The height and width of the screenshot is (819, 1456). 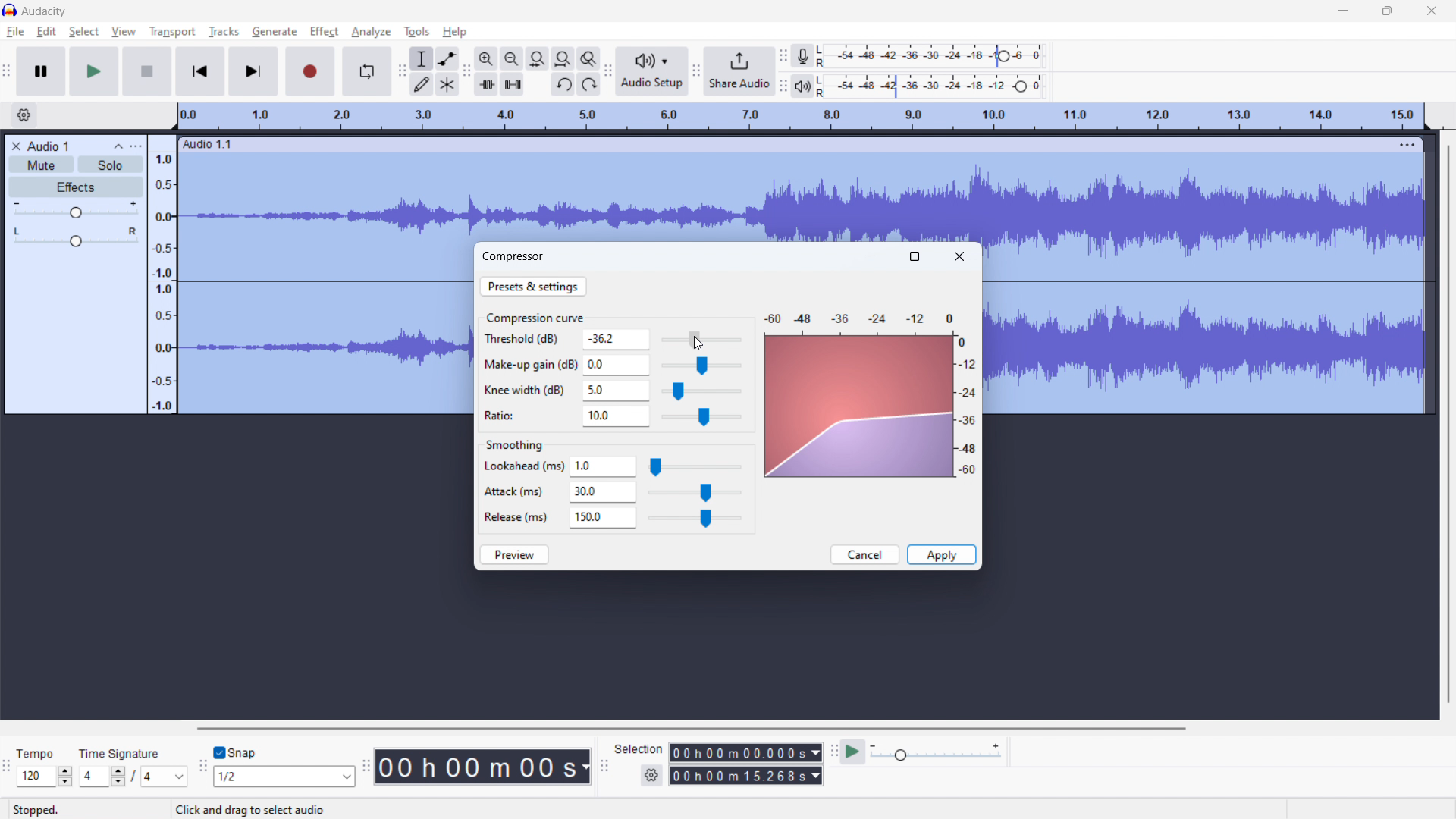 What do you see at coordinates (588, 84) in the screenshot?
I see `redo` at bounding box center [588, 84].